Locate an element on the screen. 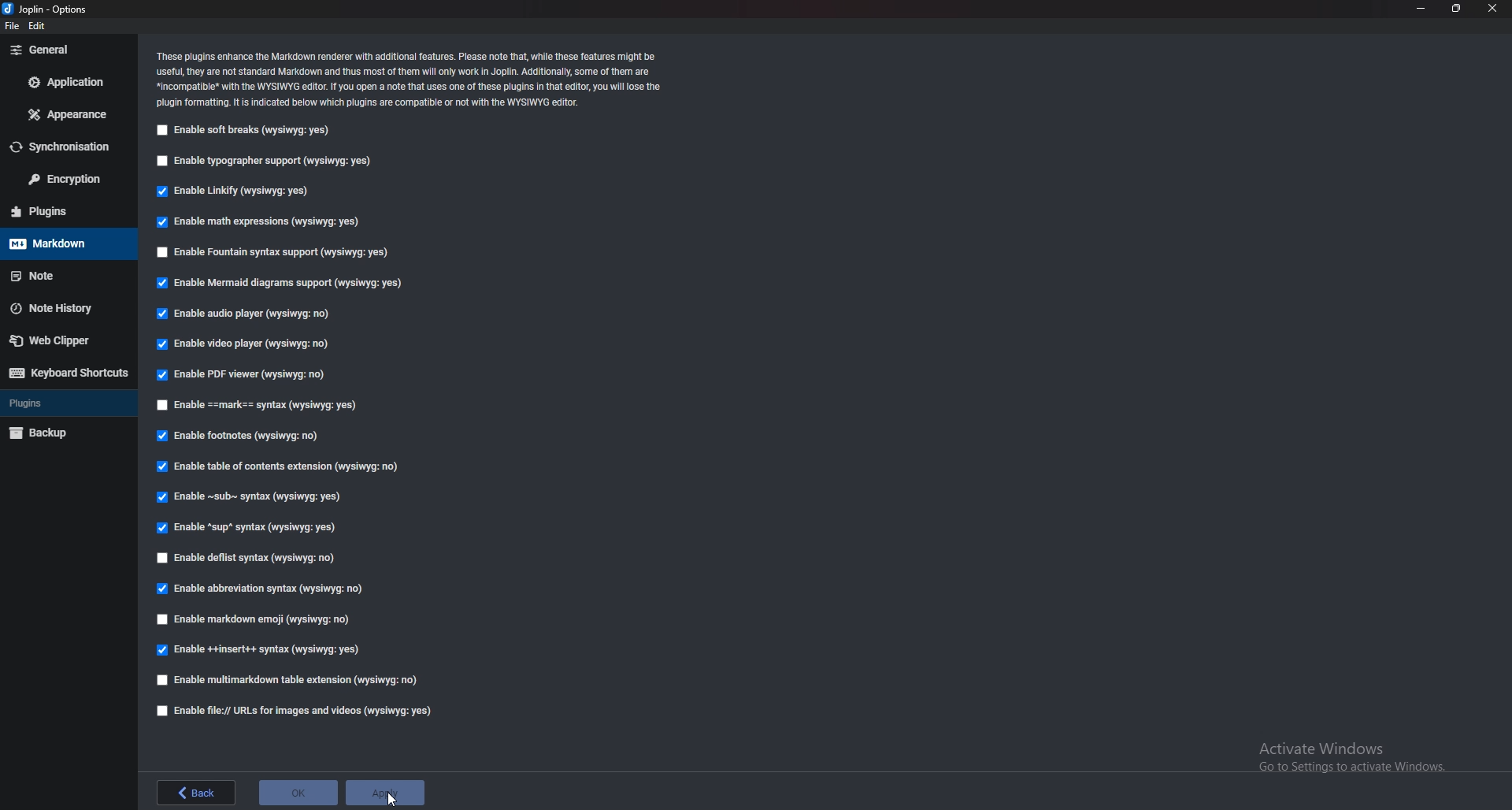  Enable soft breaks is located at coordinates (245, 129).